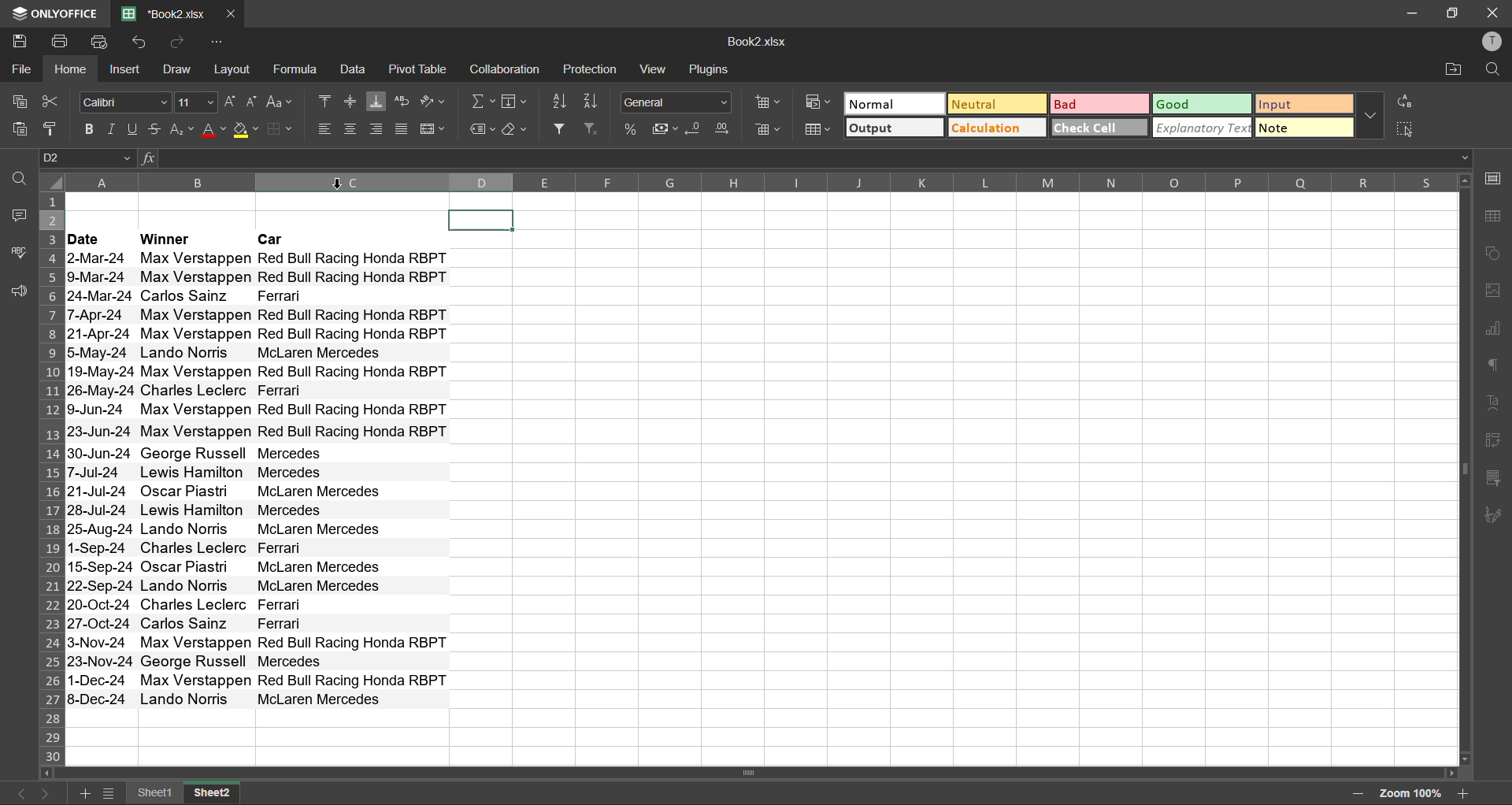  I want to click on Winner, so click(194, 237).